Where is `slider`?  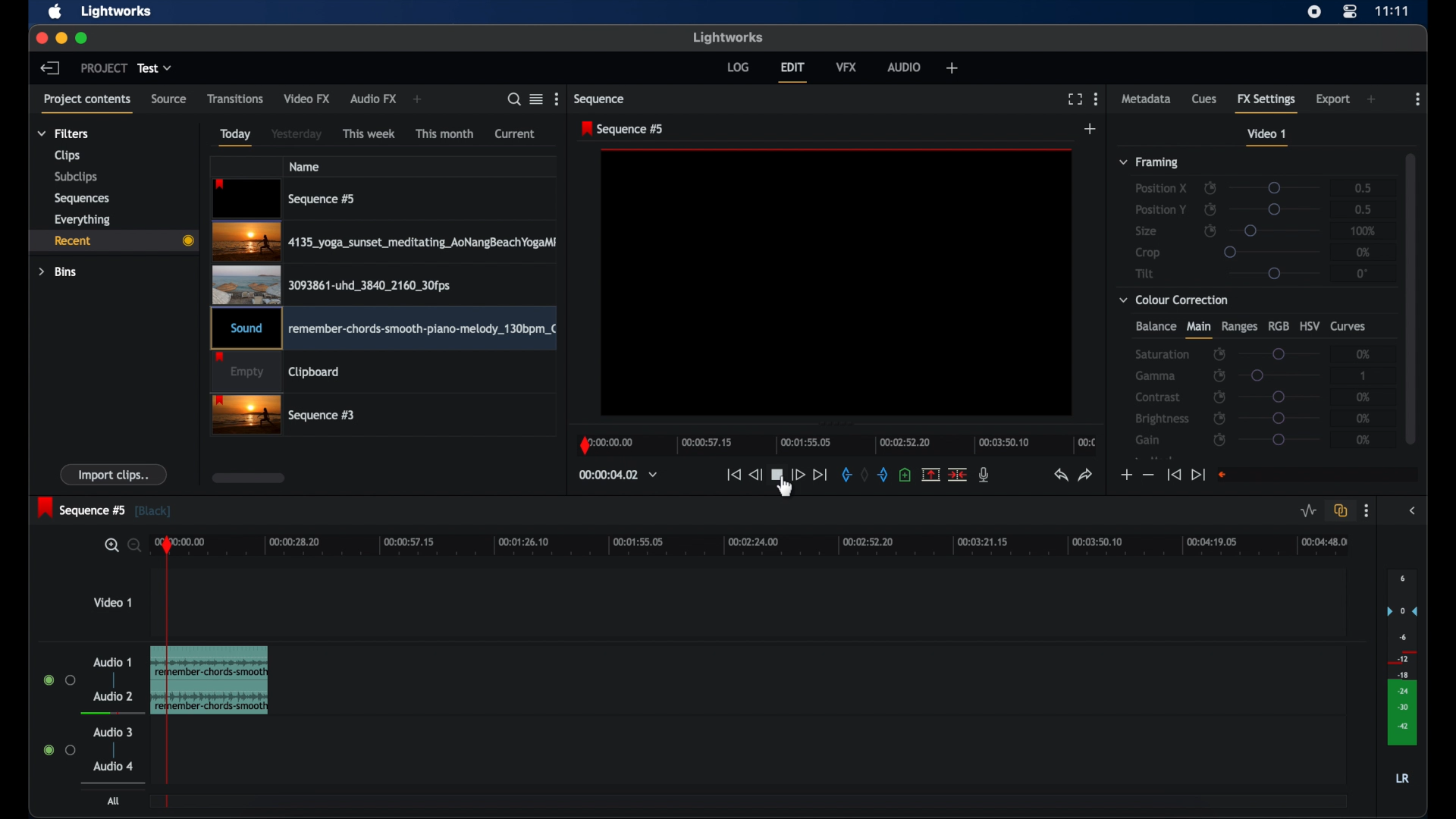 slider is located at coordinates (1279, 353).